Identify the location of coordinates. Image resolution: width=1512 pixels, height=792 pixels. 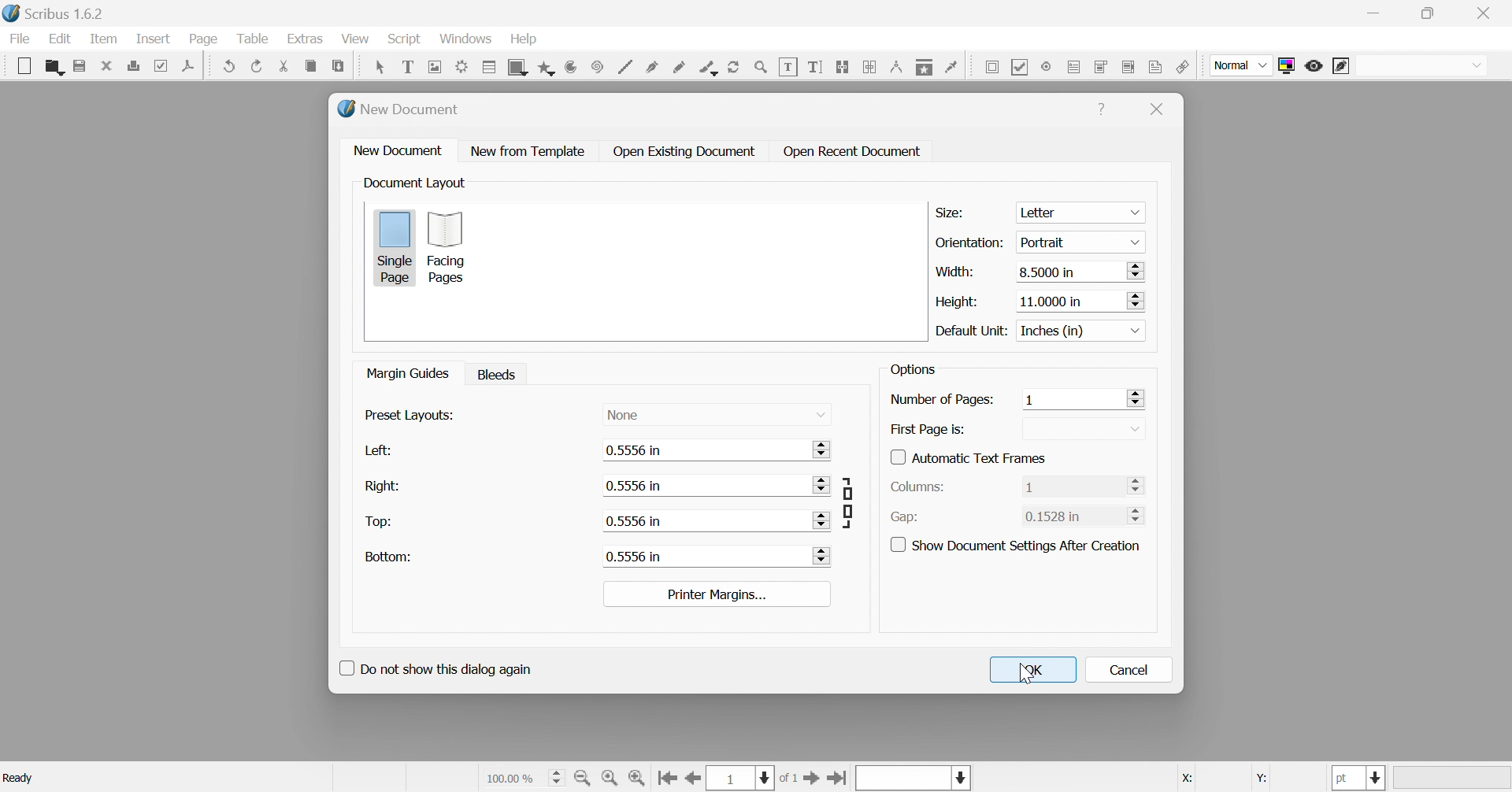
(1236, 780).